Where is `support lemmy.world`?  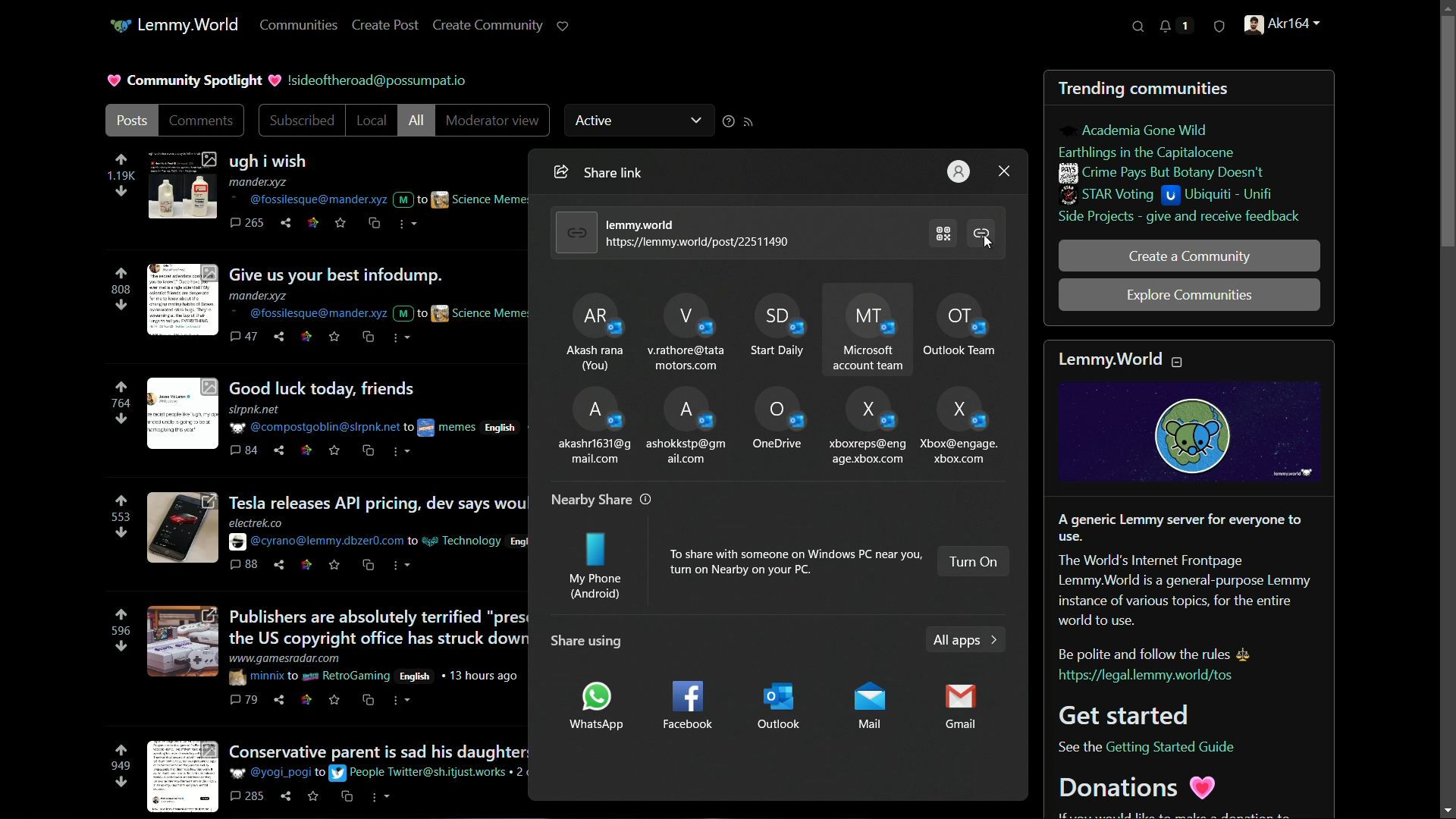 support lemmy.world is located at coordinates (565, 27).